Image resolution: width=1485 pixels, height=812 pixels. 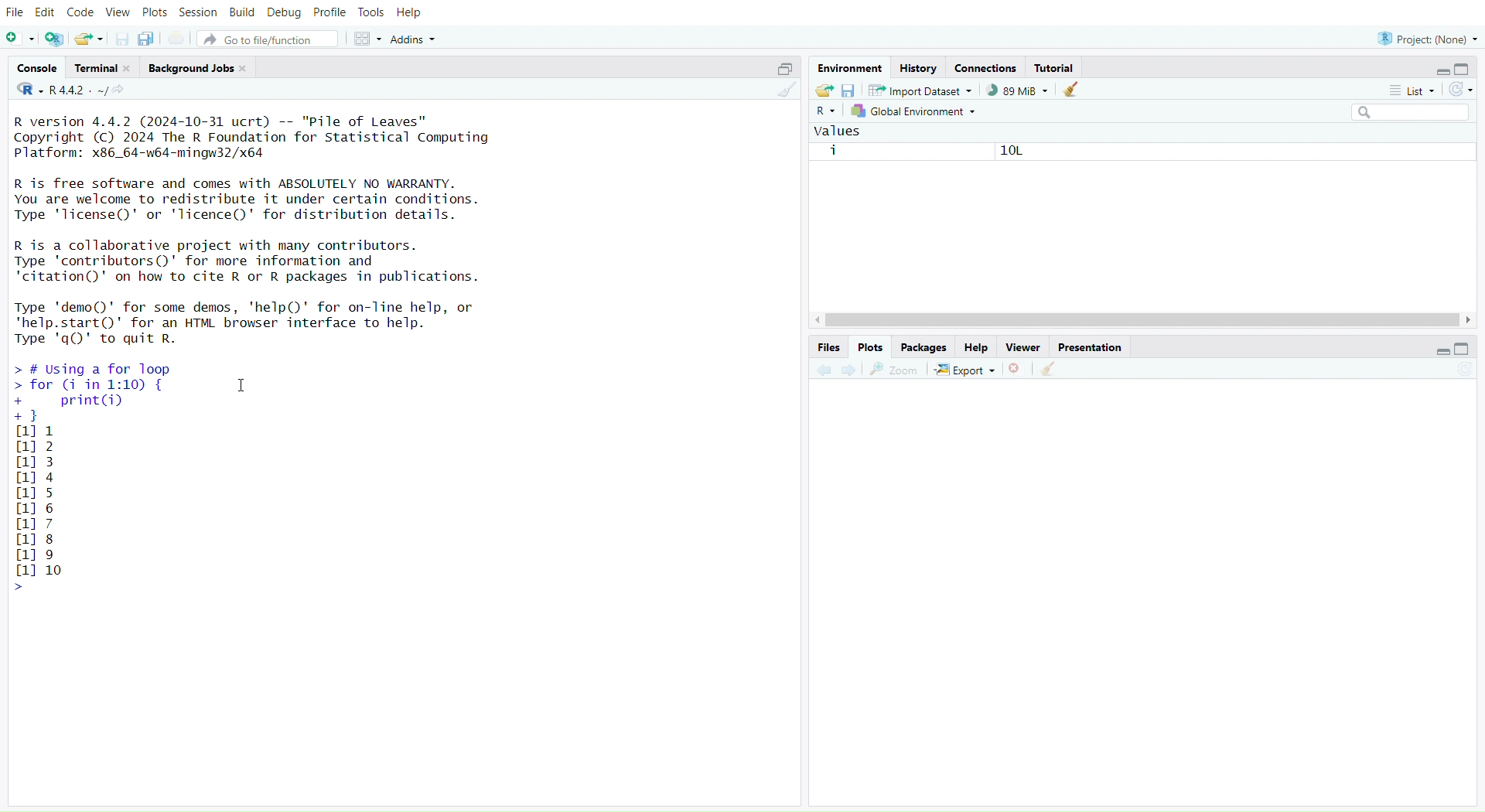 What do you see at coordinates (850, 70) in the screenshot?
I see `environment` at bounding box center [850, 70].